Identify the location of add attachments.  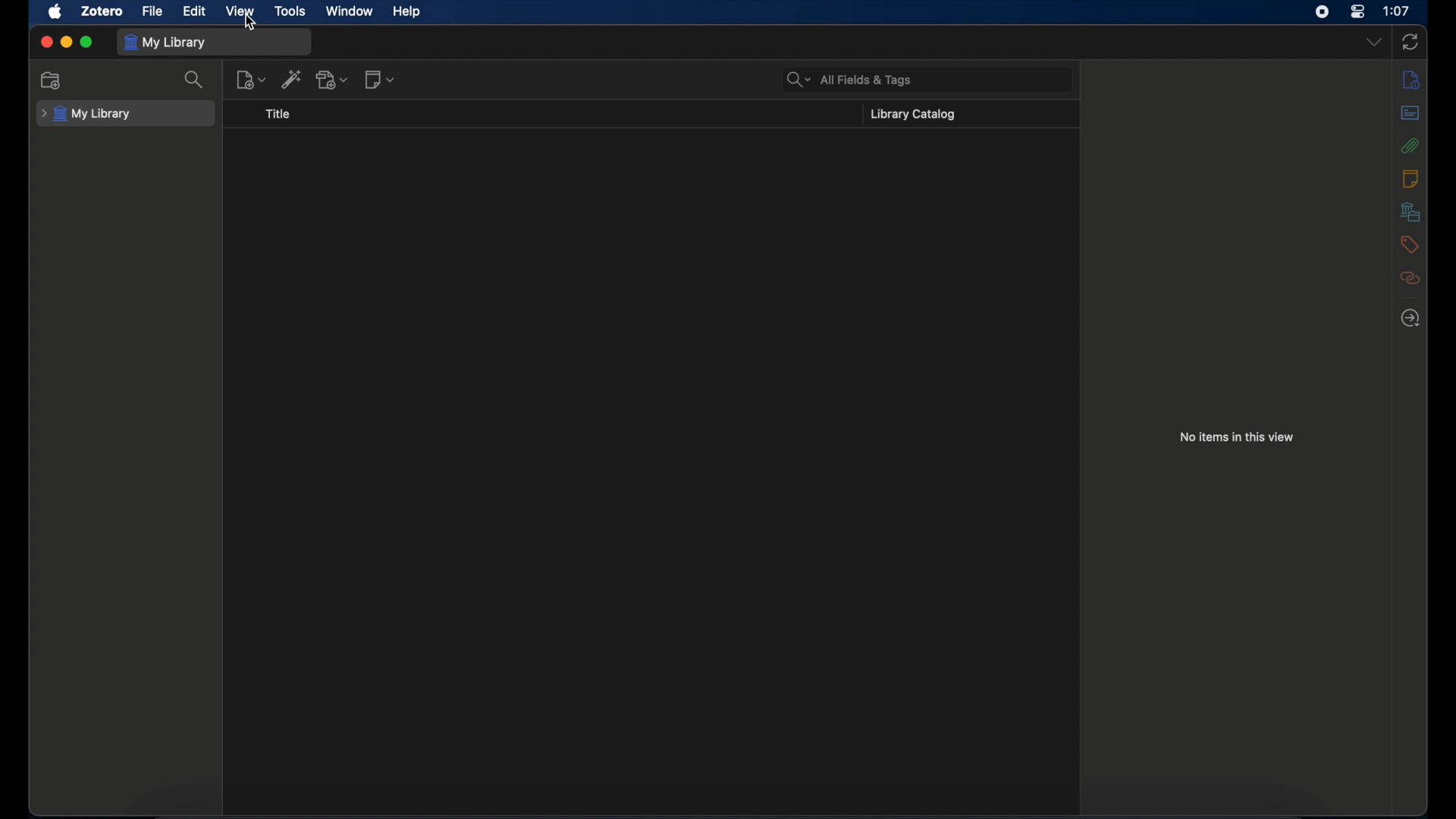
(332, 79).